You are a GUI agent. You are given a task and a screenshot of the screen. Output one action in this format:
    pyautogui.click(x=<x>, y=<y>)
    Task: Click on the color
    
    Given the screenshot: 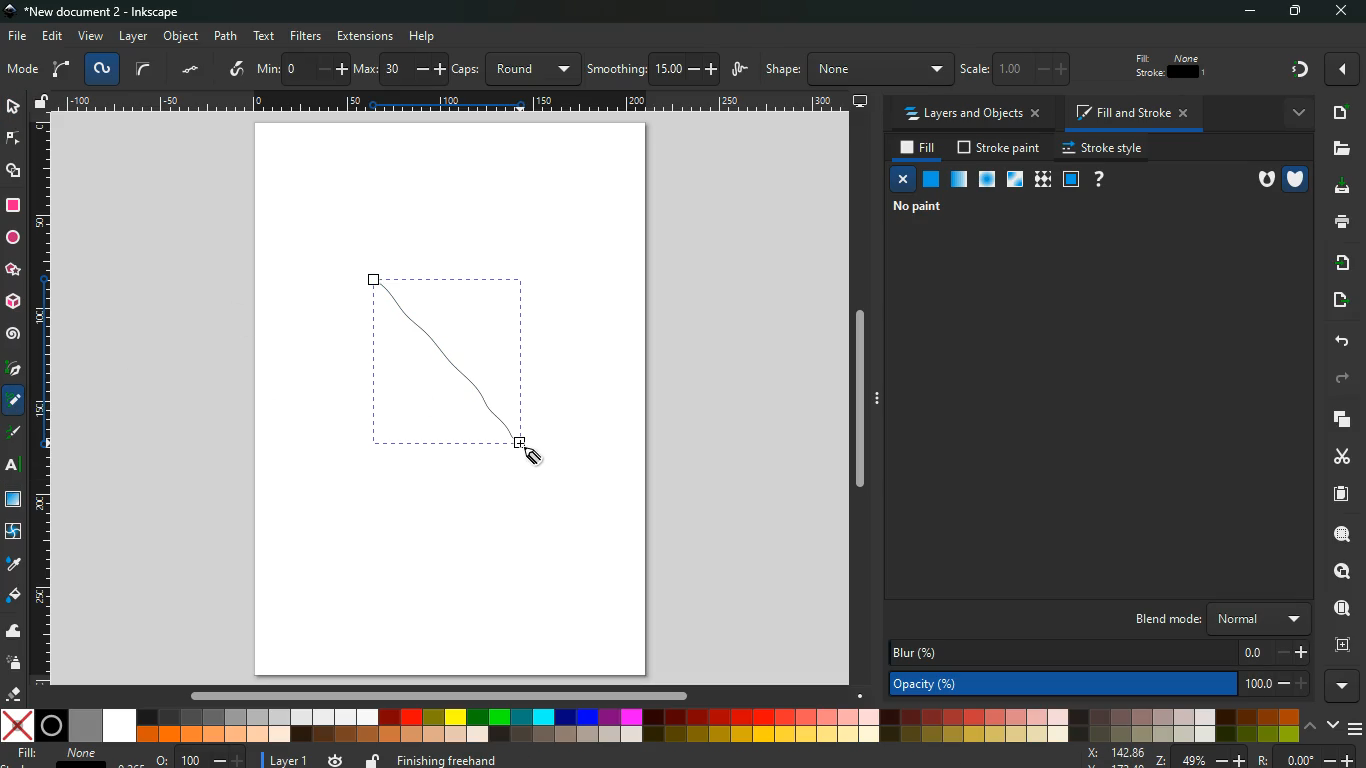 What is the action you would take?
    pyautogui.click(x=649, y=725)
    